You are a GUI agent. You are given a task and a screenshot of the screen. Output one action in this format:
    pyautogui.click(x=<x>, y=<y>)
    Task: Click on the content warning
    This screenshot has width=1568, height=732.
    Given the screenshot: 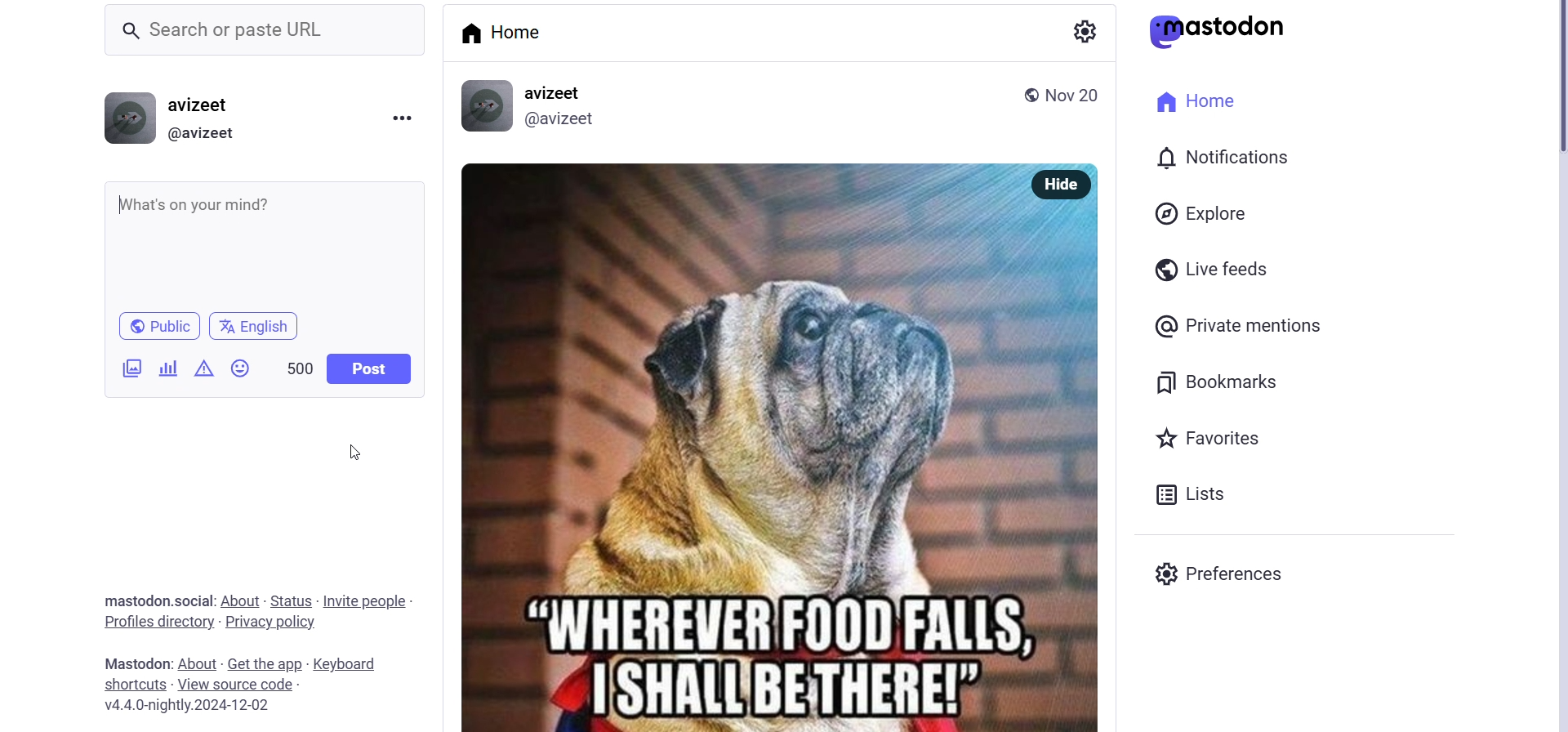 What is the action you would take?
    pyautogui.click(x=205, y=372)
    